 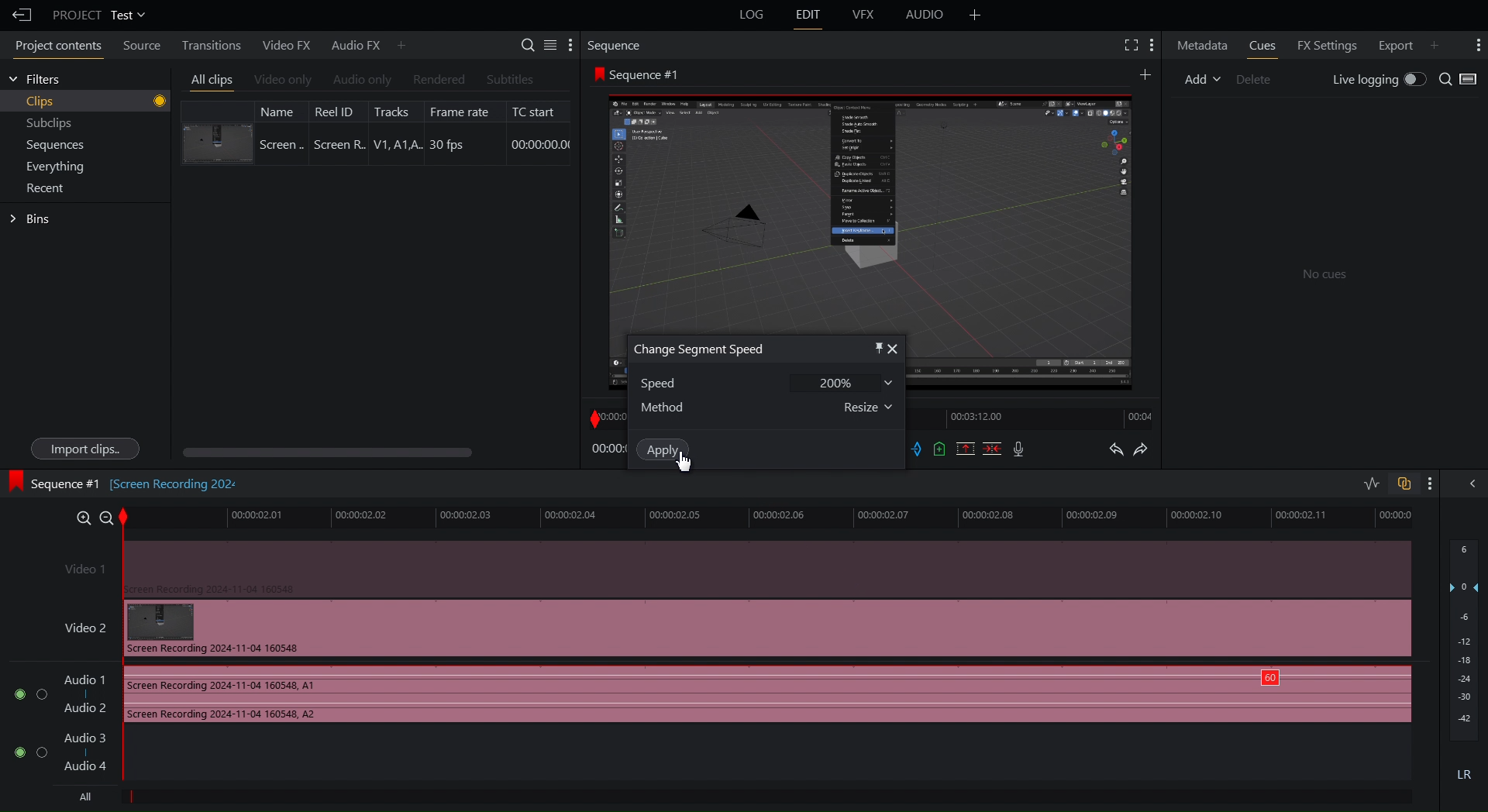 What do you see at coordinates (212, 81) in the screenshot?
I see `All clips` at bounding box center [212, 81].